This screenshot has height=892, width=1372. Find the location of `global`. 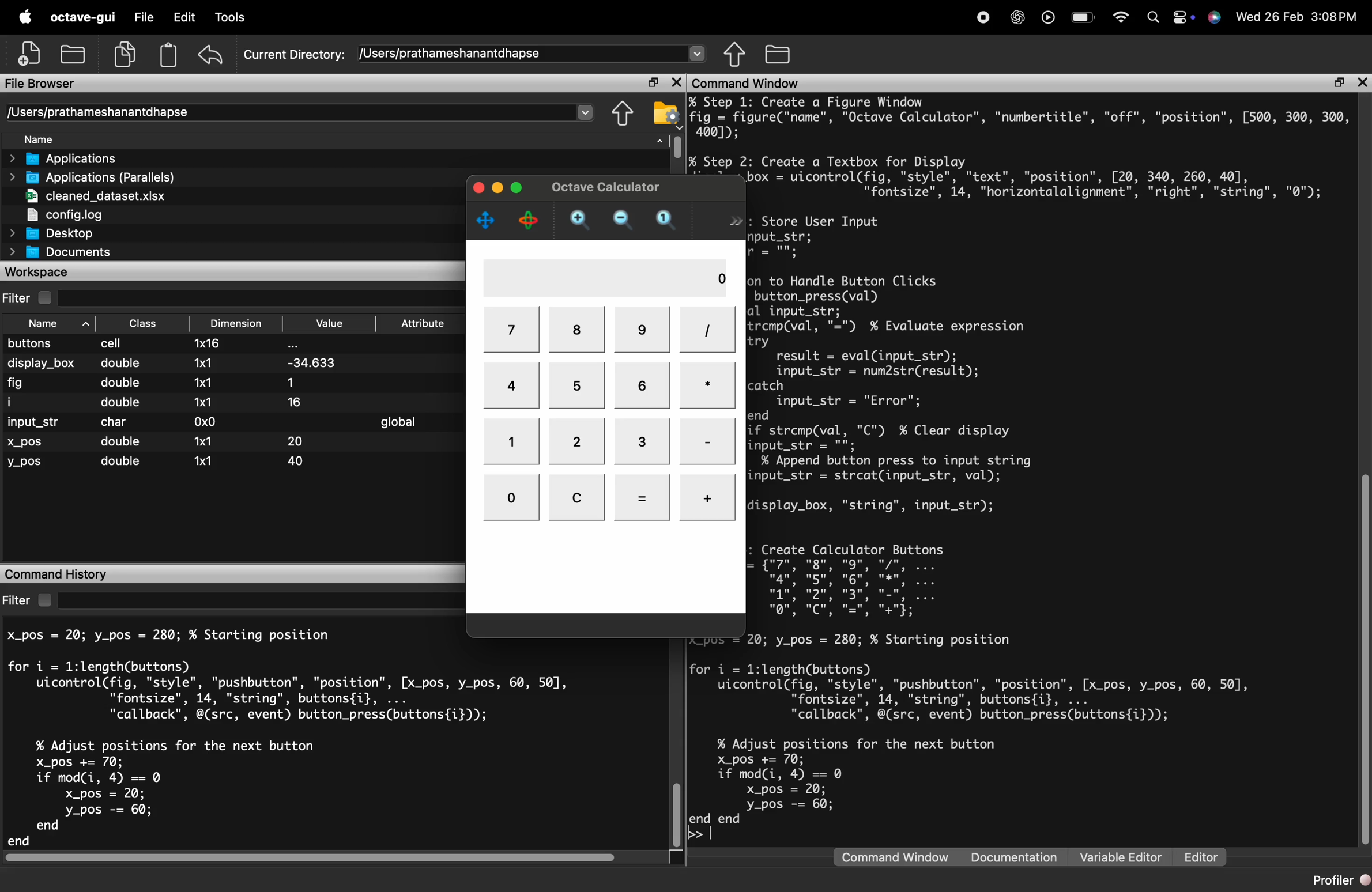

global is located at coordinates (399, 422).